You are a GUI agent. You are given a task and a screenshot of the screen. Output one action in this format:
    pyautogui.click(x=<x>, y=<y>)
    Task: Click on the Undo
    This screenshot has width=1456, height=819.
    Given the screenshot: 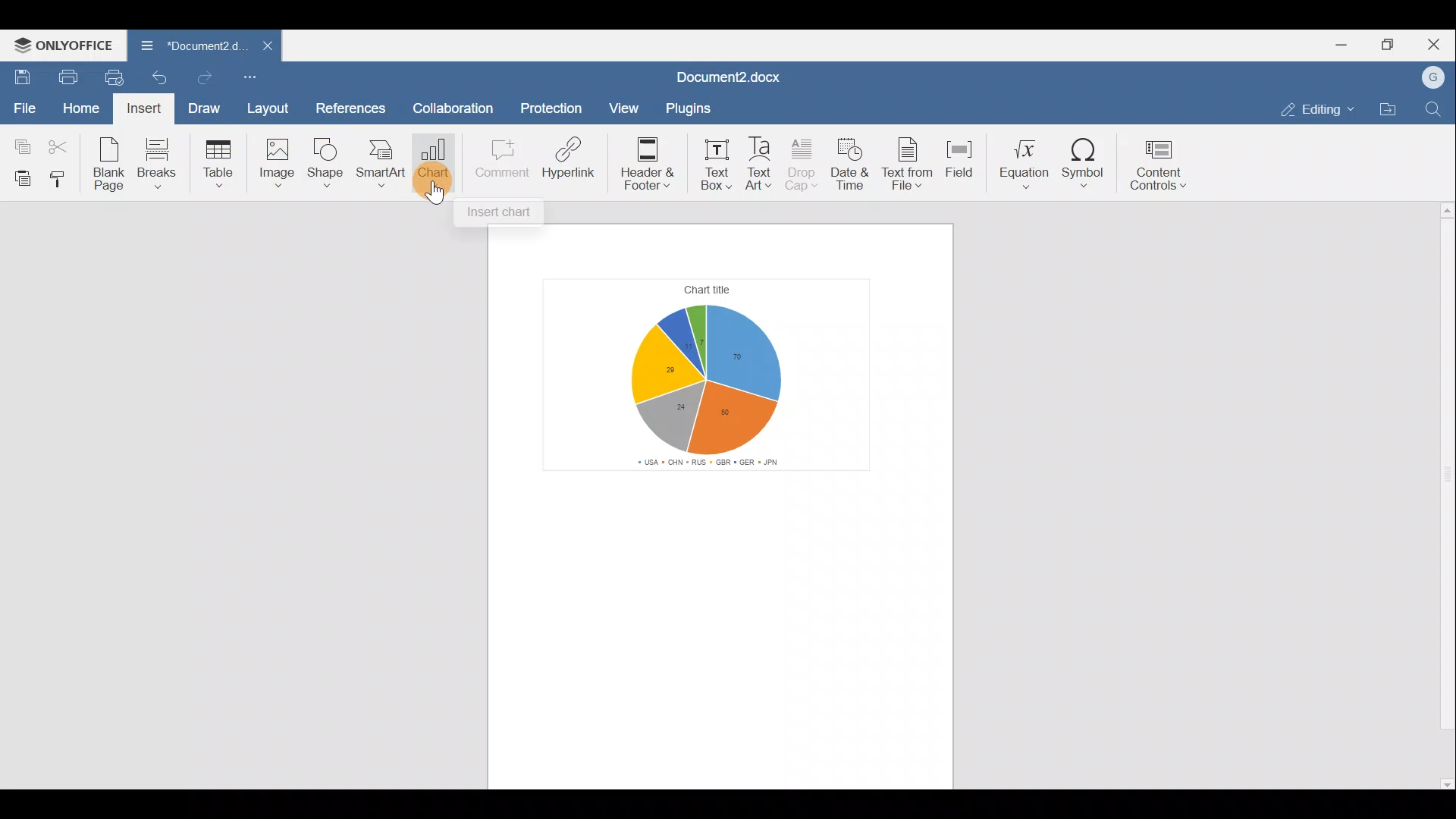 What is the action you would take?
    pyautogui.click(x=164, y=76)
    